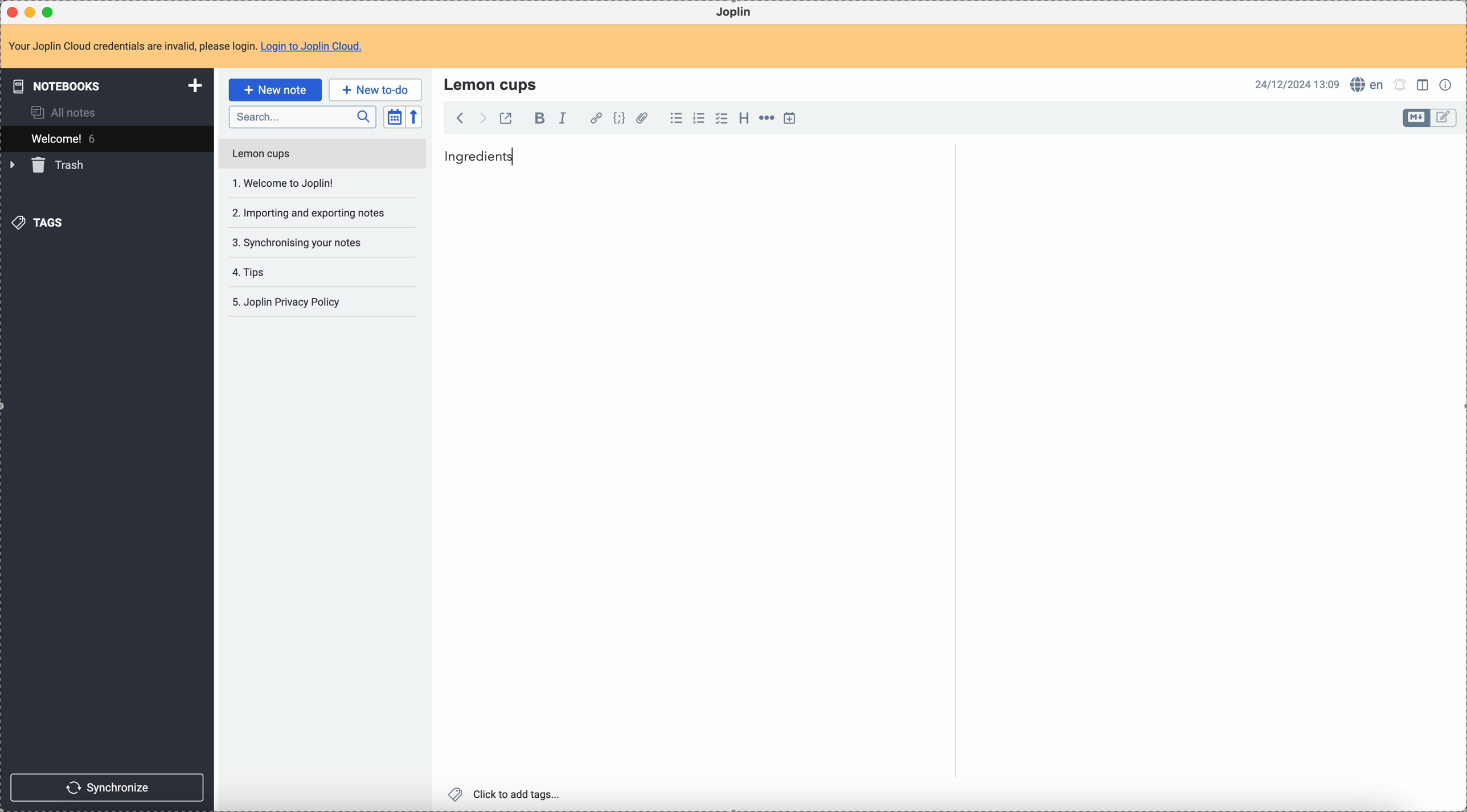  I want to click on back, so click(460, 118).